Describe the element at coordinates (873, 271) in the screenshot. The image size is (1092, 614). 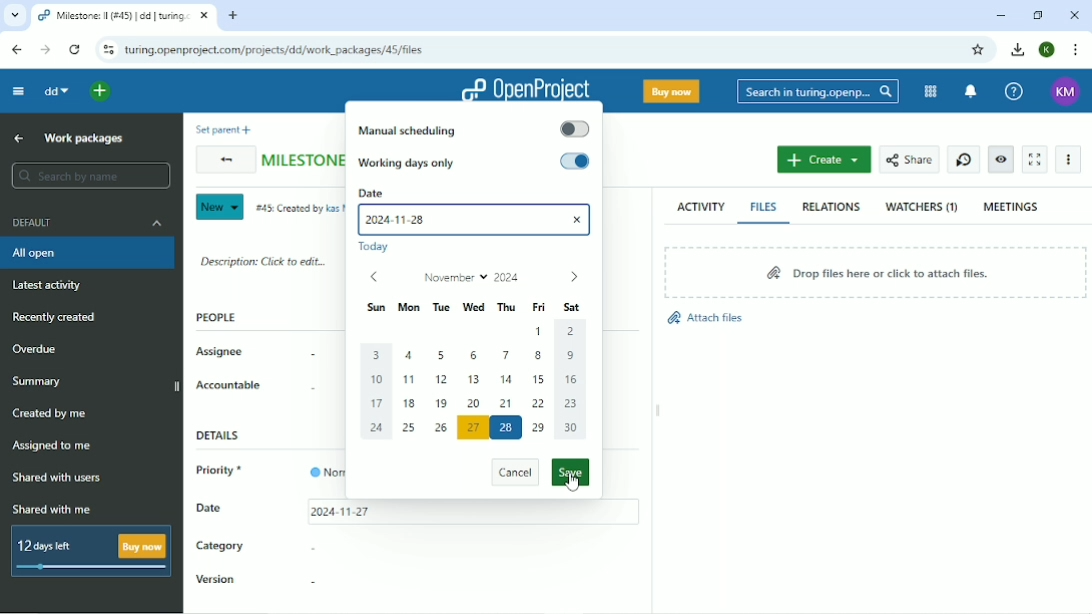
I see `Drop files here or click to attach files` at that location.